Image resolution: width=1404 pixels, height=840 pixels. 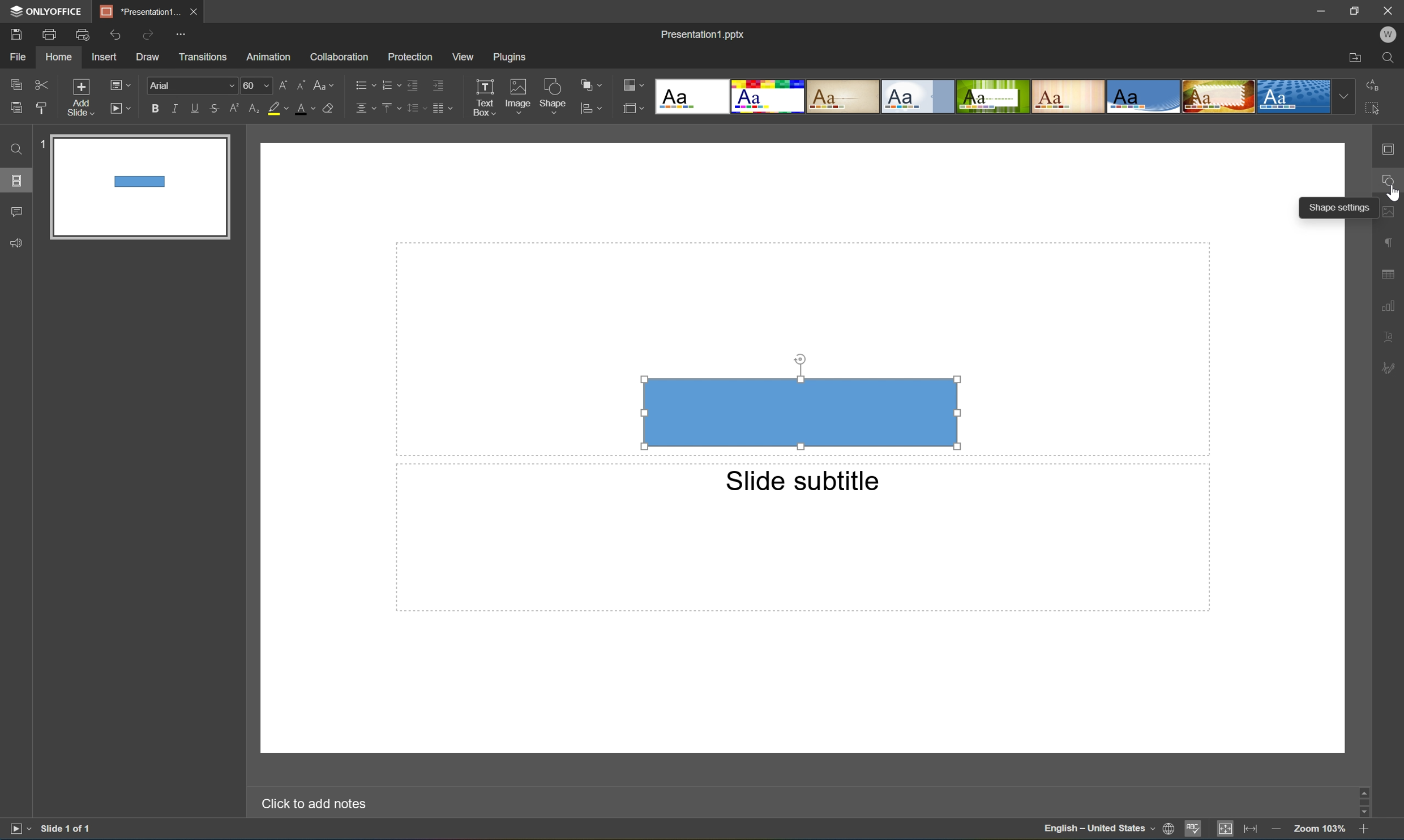 I want to click on Fit to slide, so click(x=1228, y=832).